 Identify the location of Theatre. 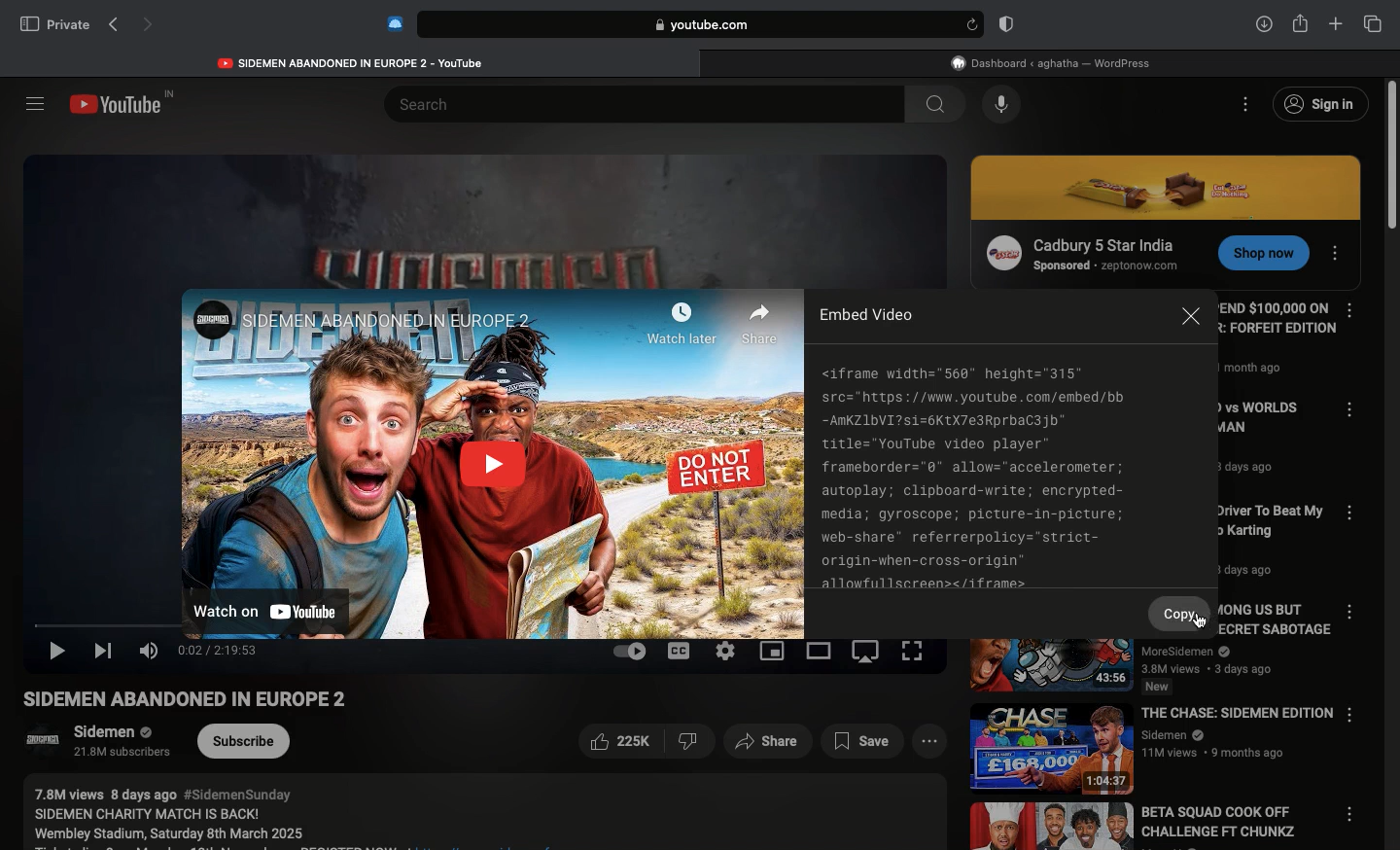
(821, 652).